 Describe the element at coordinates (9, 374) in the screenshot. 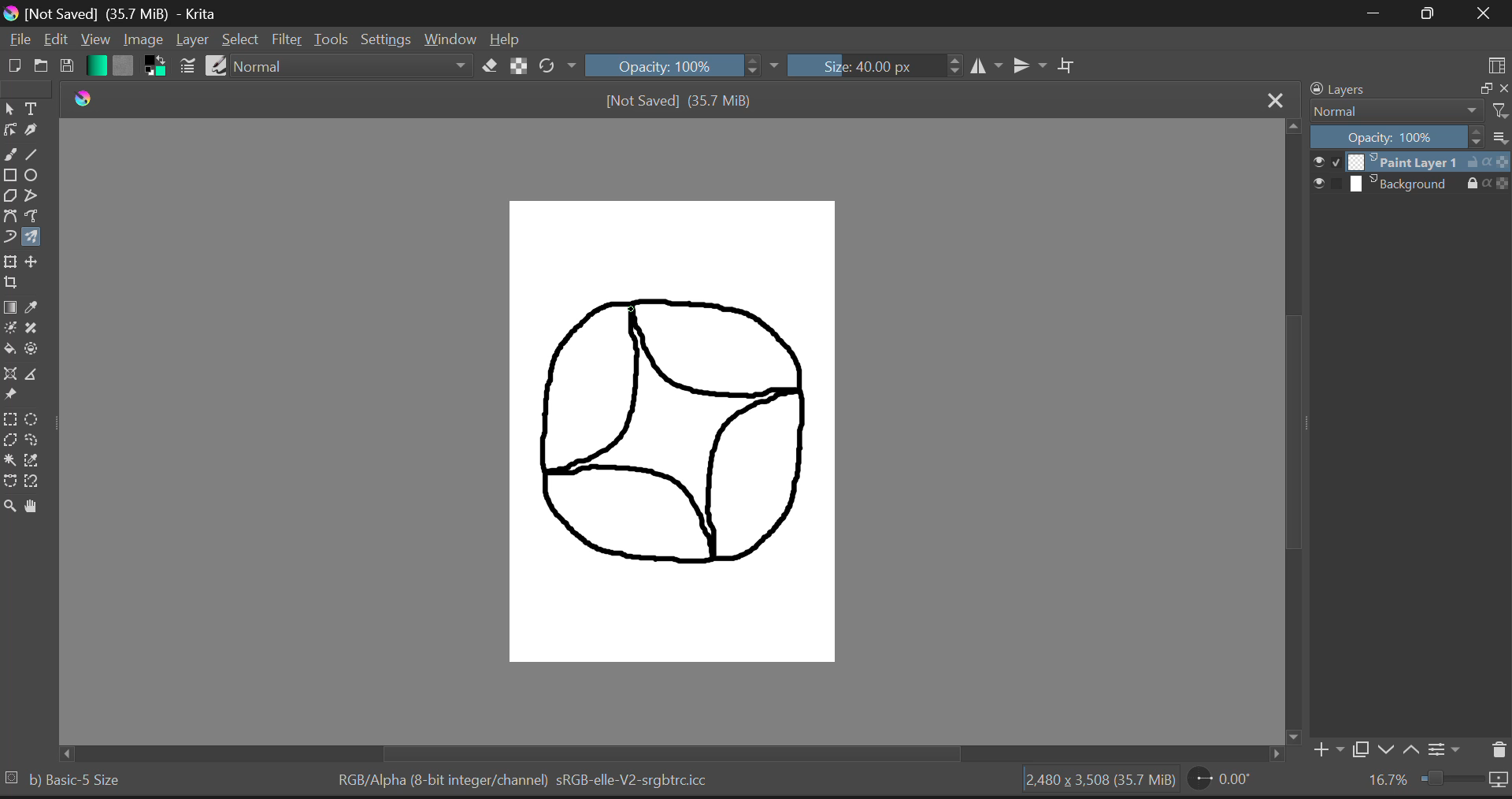

I see `Assistant Tool` at that location.